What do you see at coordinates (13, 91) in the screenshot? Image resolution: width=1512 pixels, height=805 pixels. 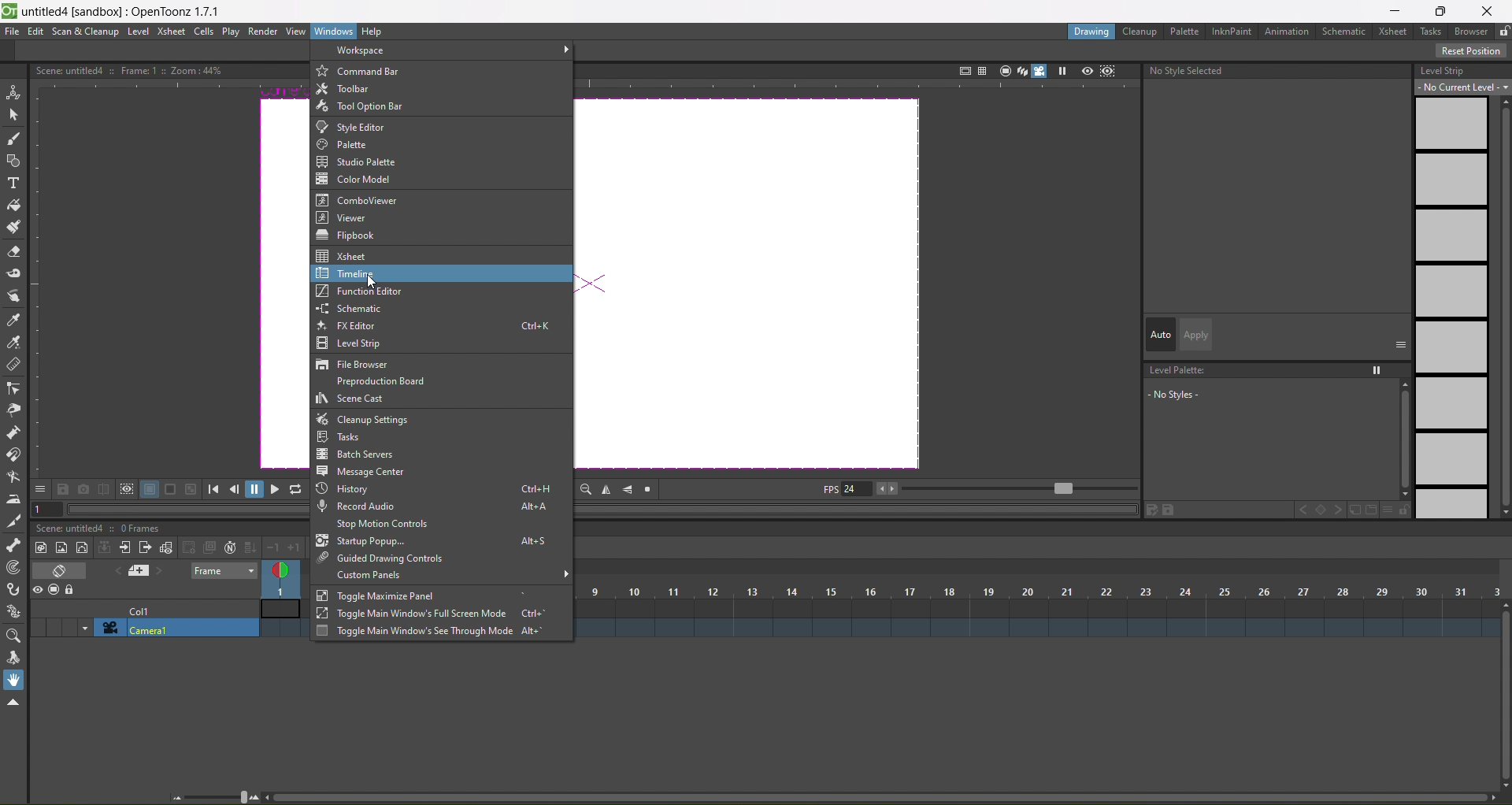 I see `animation tool` at bounding box center [13, 91].